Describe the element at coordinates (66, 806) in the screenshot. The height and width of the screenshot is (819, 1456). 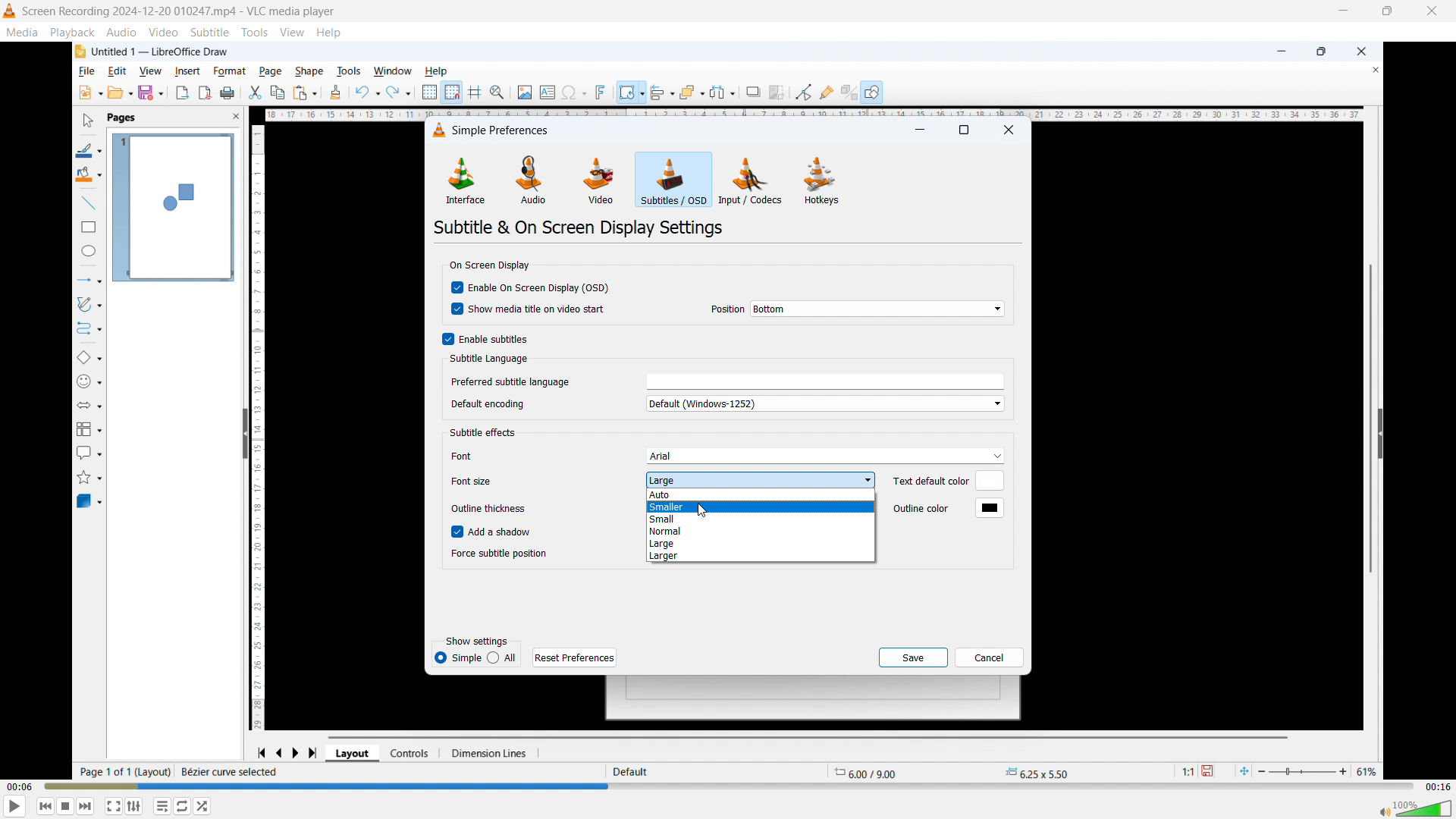
I see `Stop playing ` at that location.